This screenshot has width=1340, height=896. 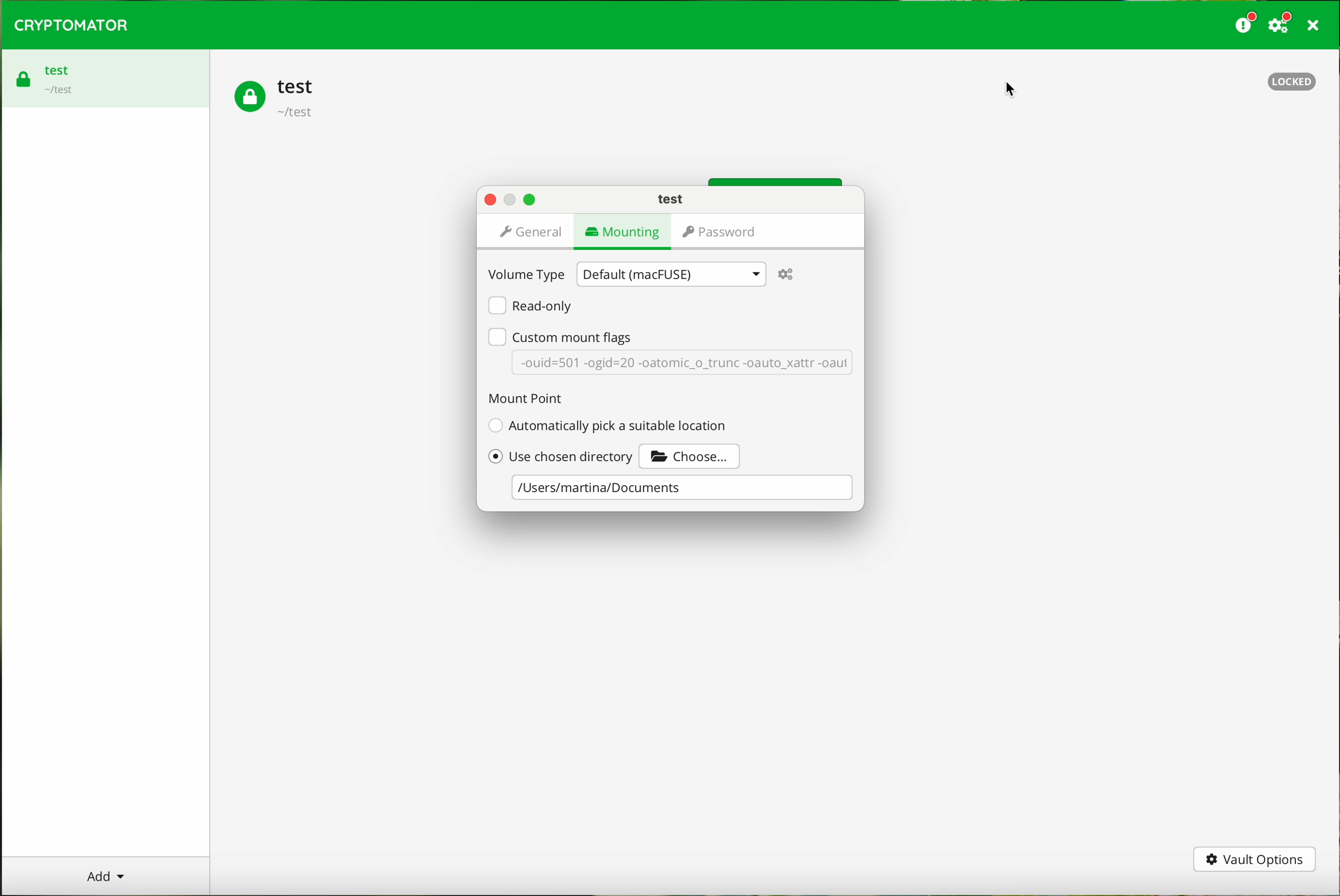 I want to click on locked, so click(x=1293, y=82).